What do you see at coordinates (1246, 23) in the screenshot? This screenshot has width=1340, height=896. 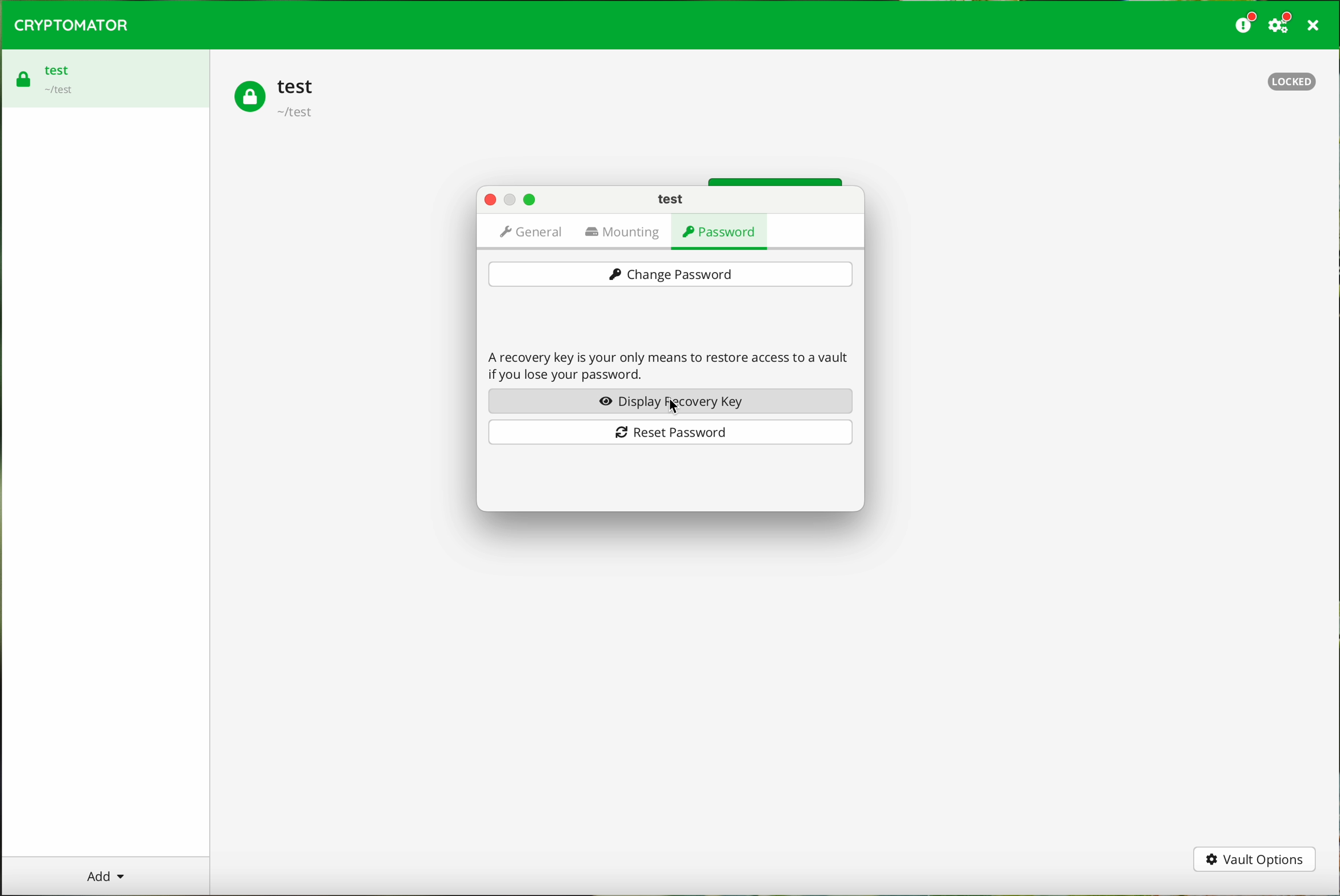 I see `donate` at bounding box center [1246, 23].